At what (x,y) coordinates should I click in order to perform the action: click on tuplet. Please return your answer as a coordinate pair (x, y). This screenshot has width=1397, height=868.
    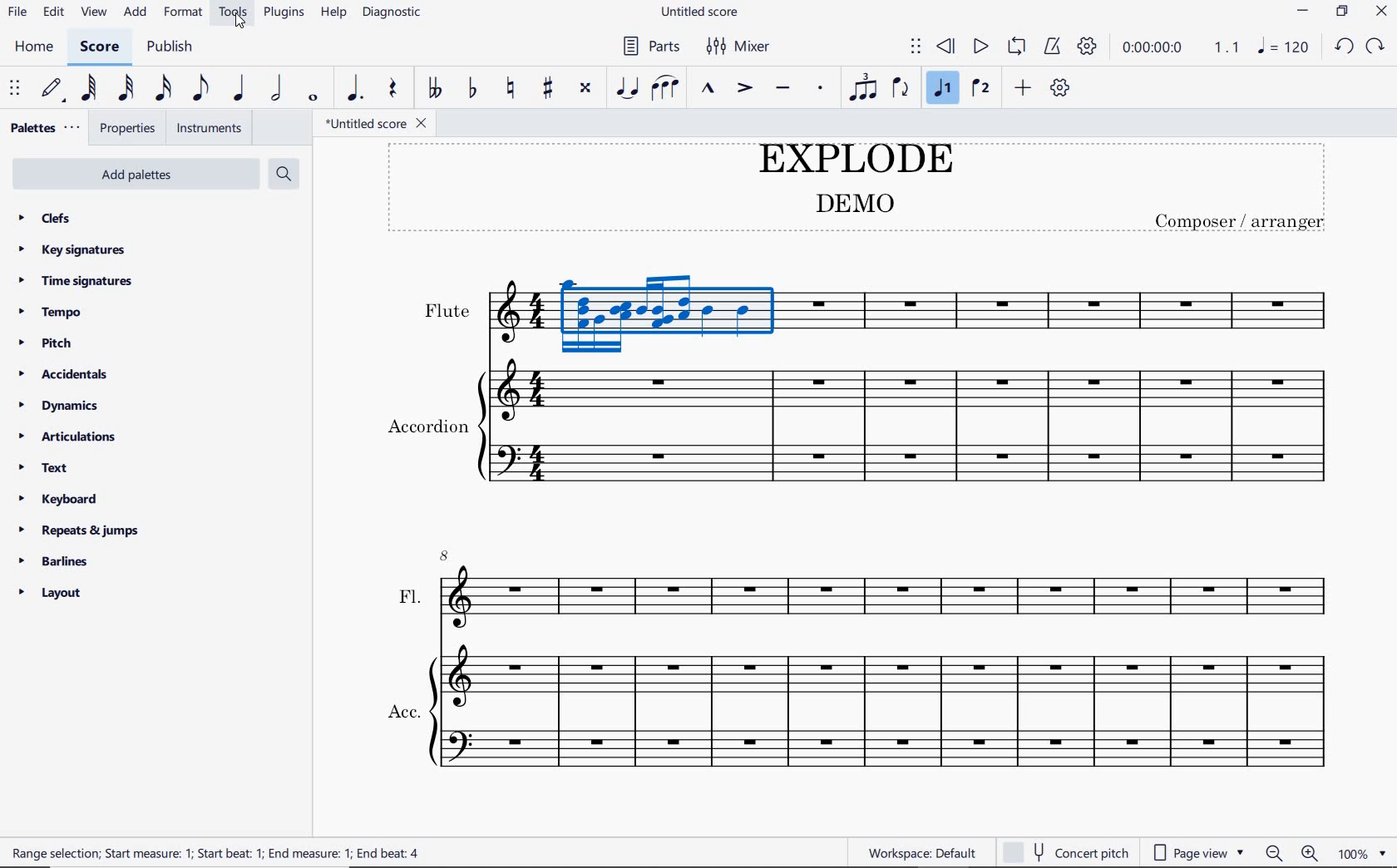
    Looking at the image, I should click on (863, 86).